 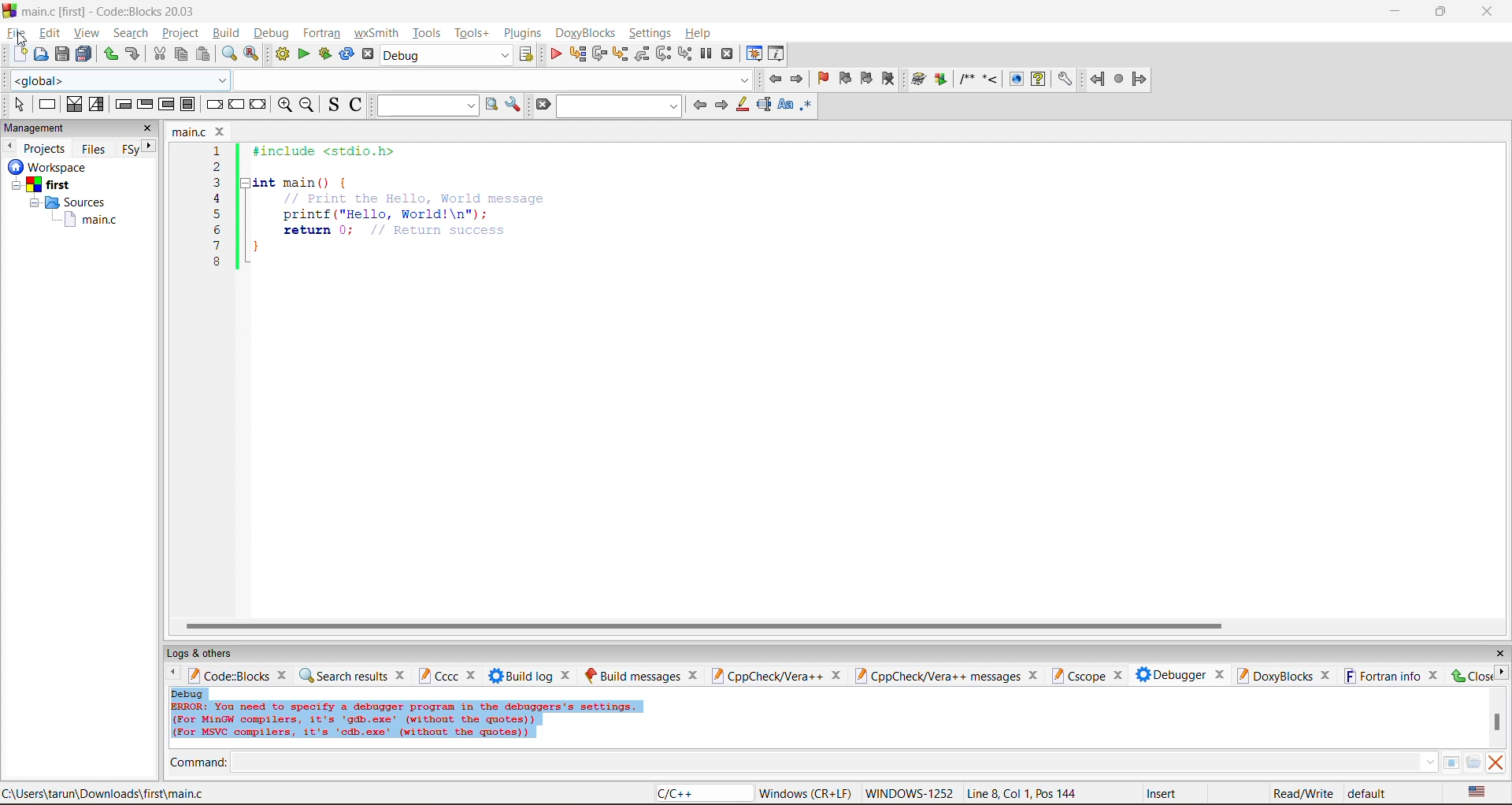 I want to click on toggle bookmark, so click(x=825, y=79).